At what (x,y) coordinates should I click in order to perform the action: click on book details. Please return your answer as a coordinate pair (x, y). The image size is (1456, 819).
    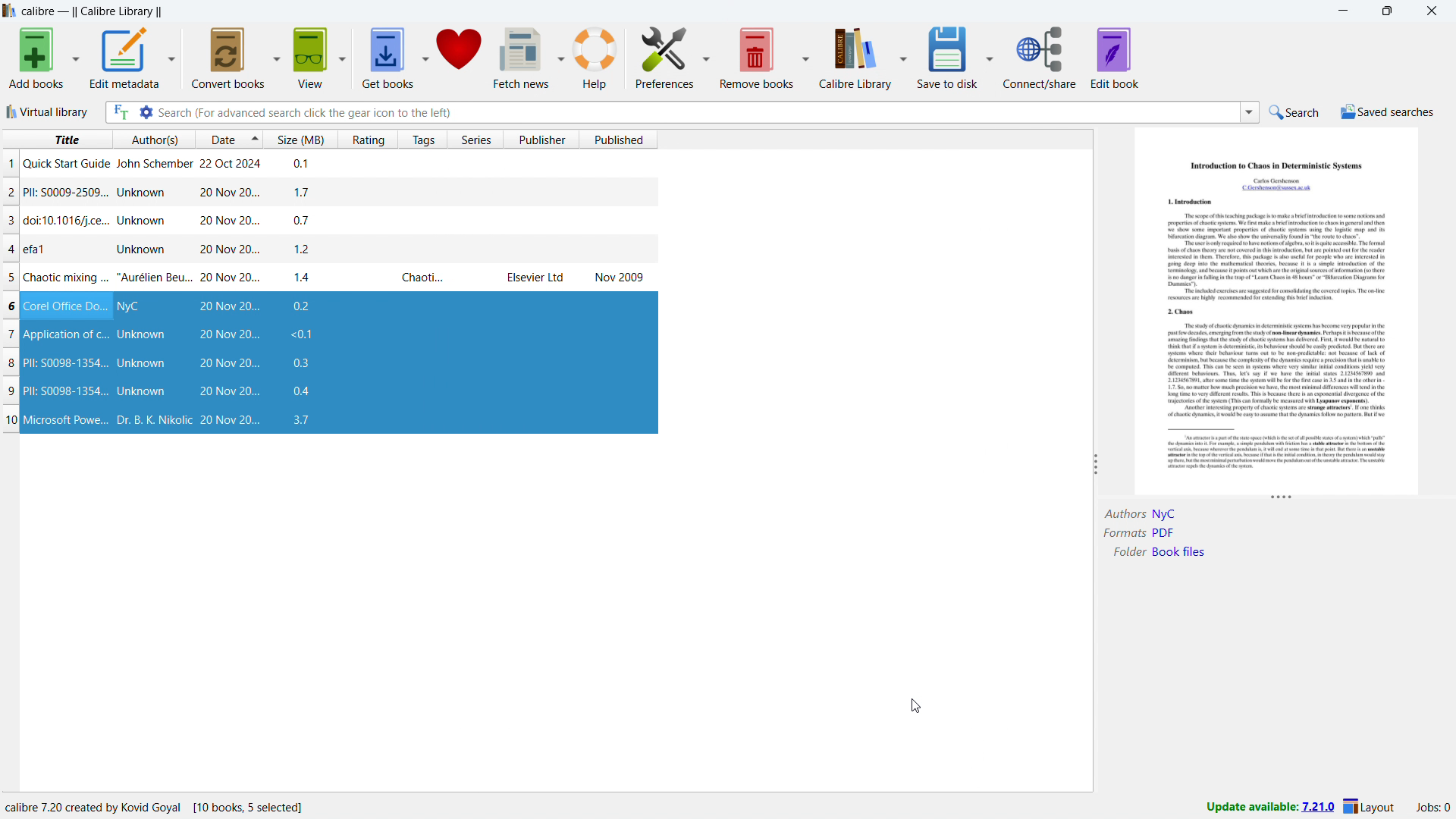
    Looking at the image, I should click on (1263, 544).